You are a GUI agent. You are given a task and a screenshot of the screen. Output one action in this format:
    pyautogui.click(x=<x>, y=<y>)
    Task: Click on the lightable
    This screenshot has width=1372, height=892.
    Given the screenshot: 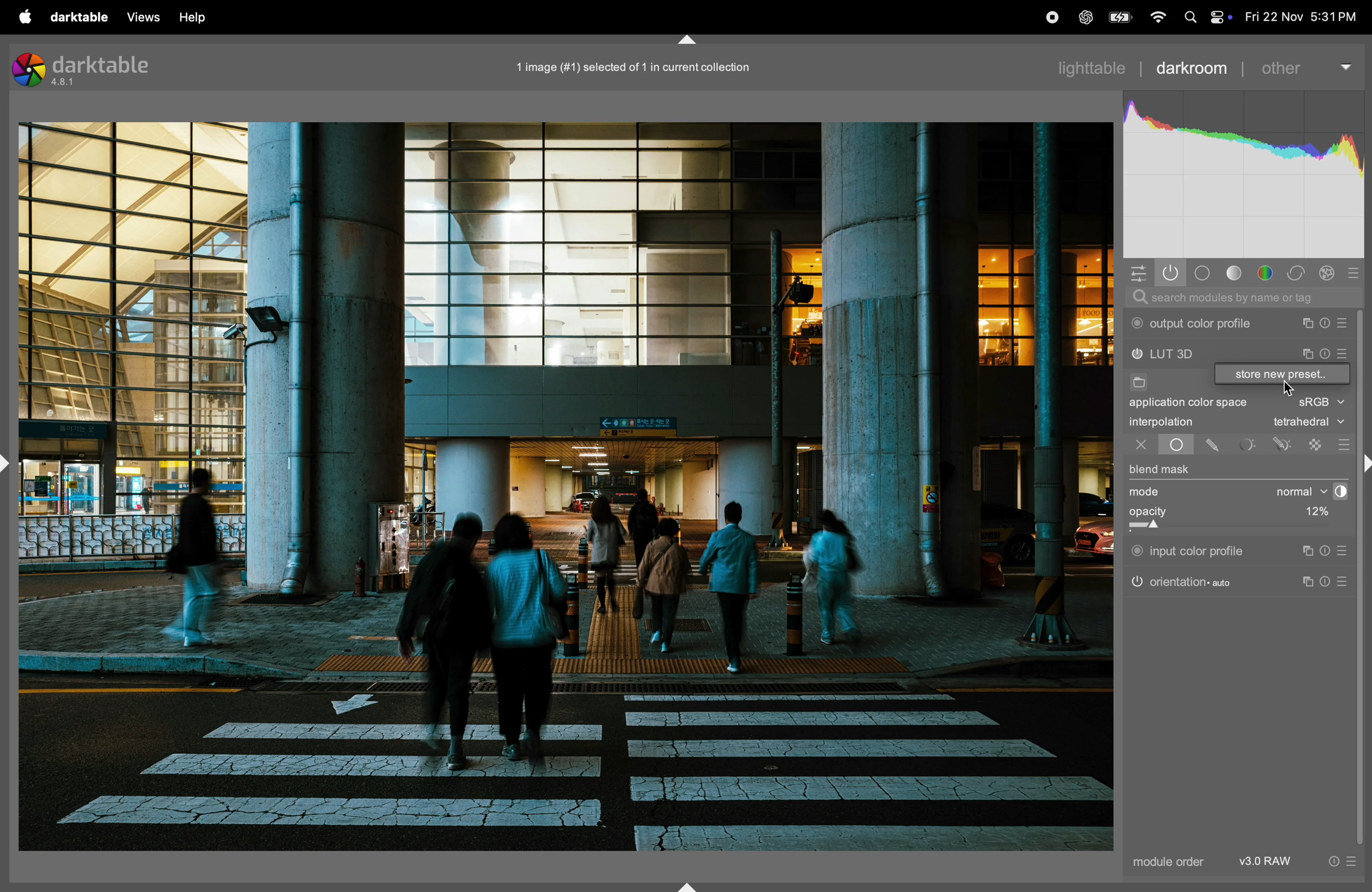 What is the action you would take?
    pyautogui.click(x=1095, y=67)
    